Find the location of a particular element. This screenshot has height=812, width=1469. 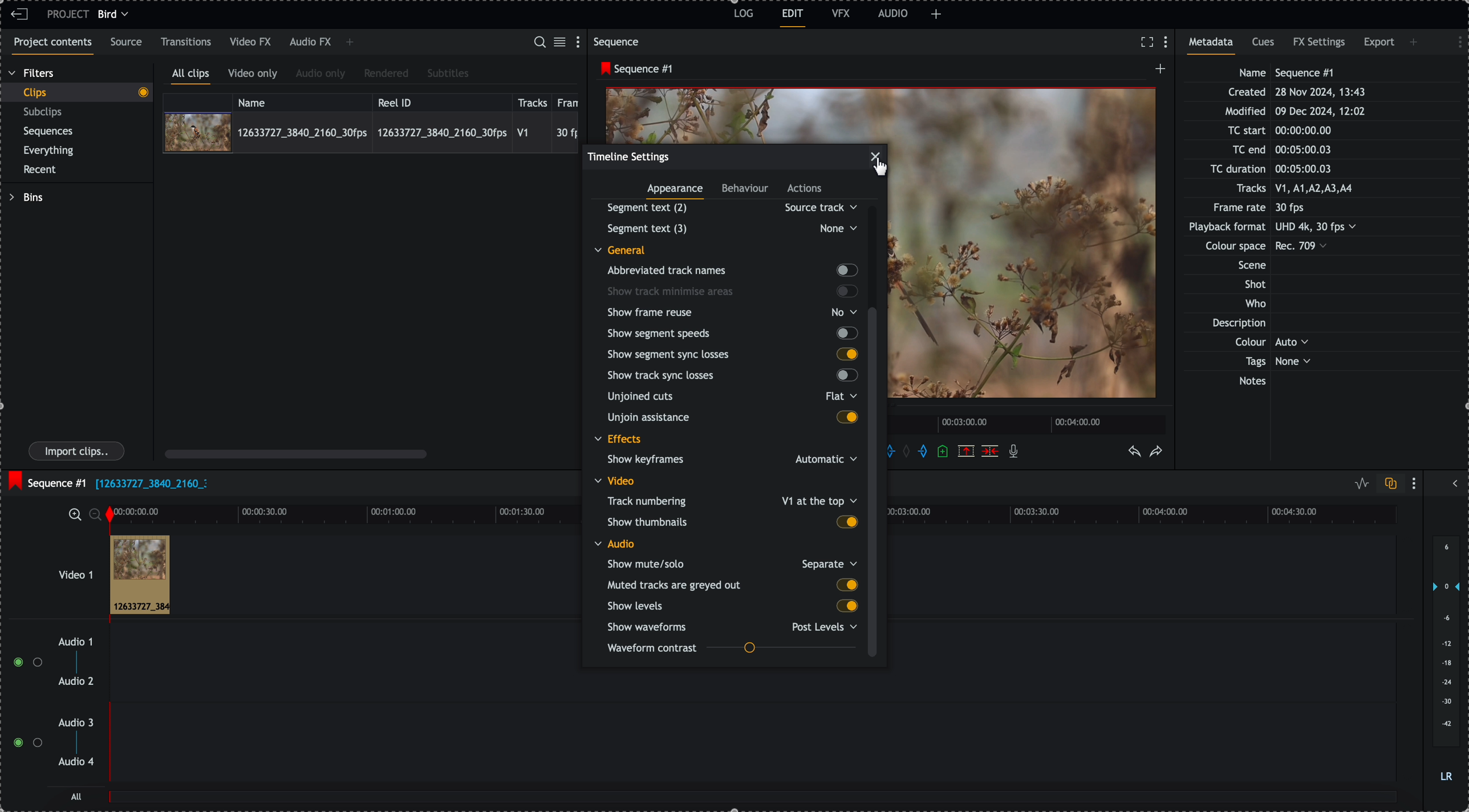

audio 2 is located at coordinates (74, 682).